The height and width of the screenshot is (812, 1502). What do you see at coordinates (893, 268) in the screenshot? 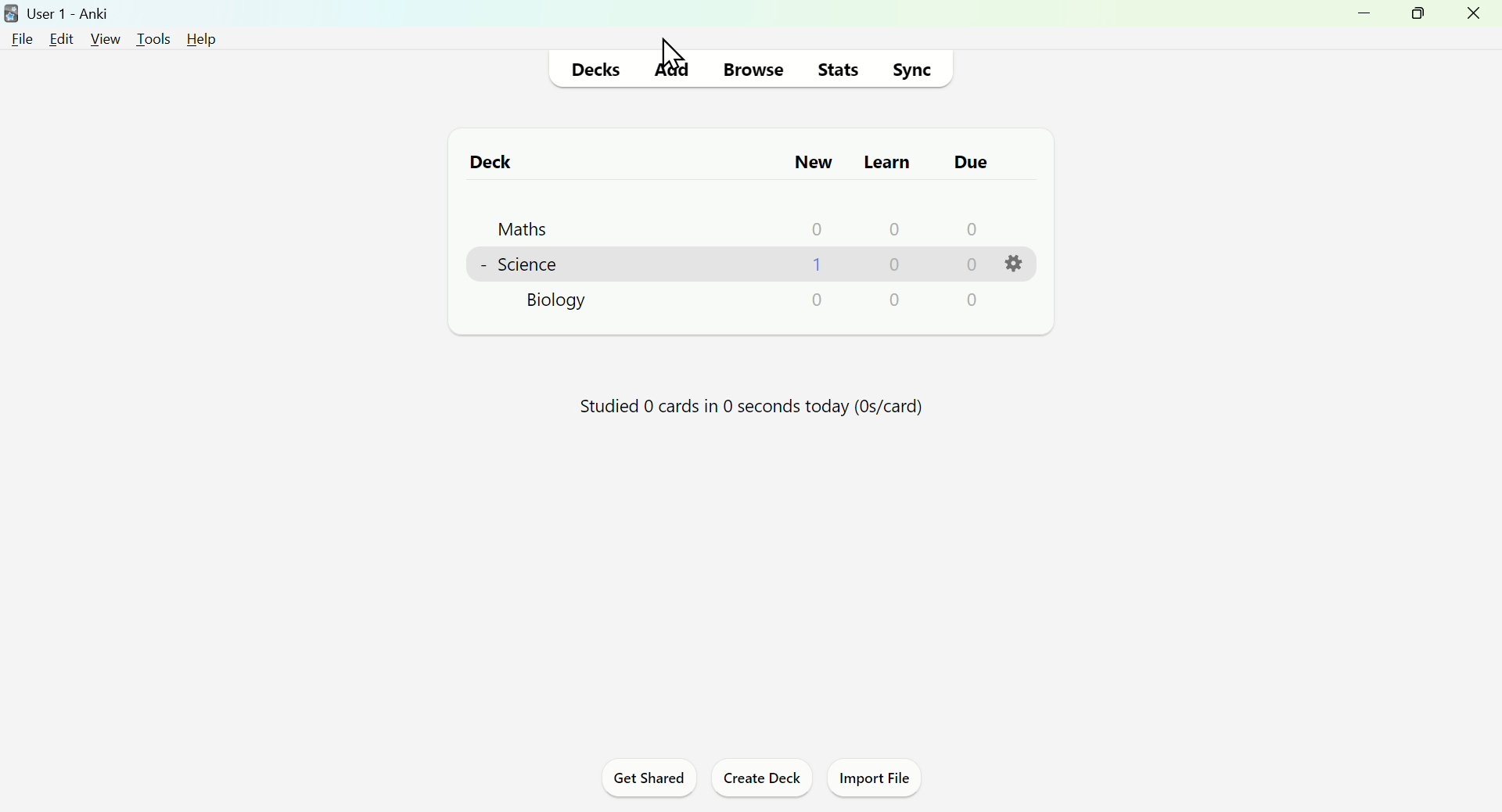
I see `0` at bounding box center [893, 268].